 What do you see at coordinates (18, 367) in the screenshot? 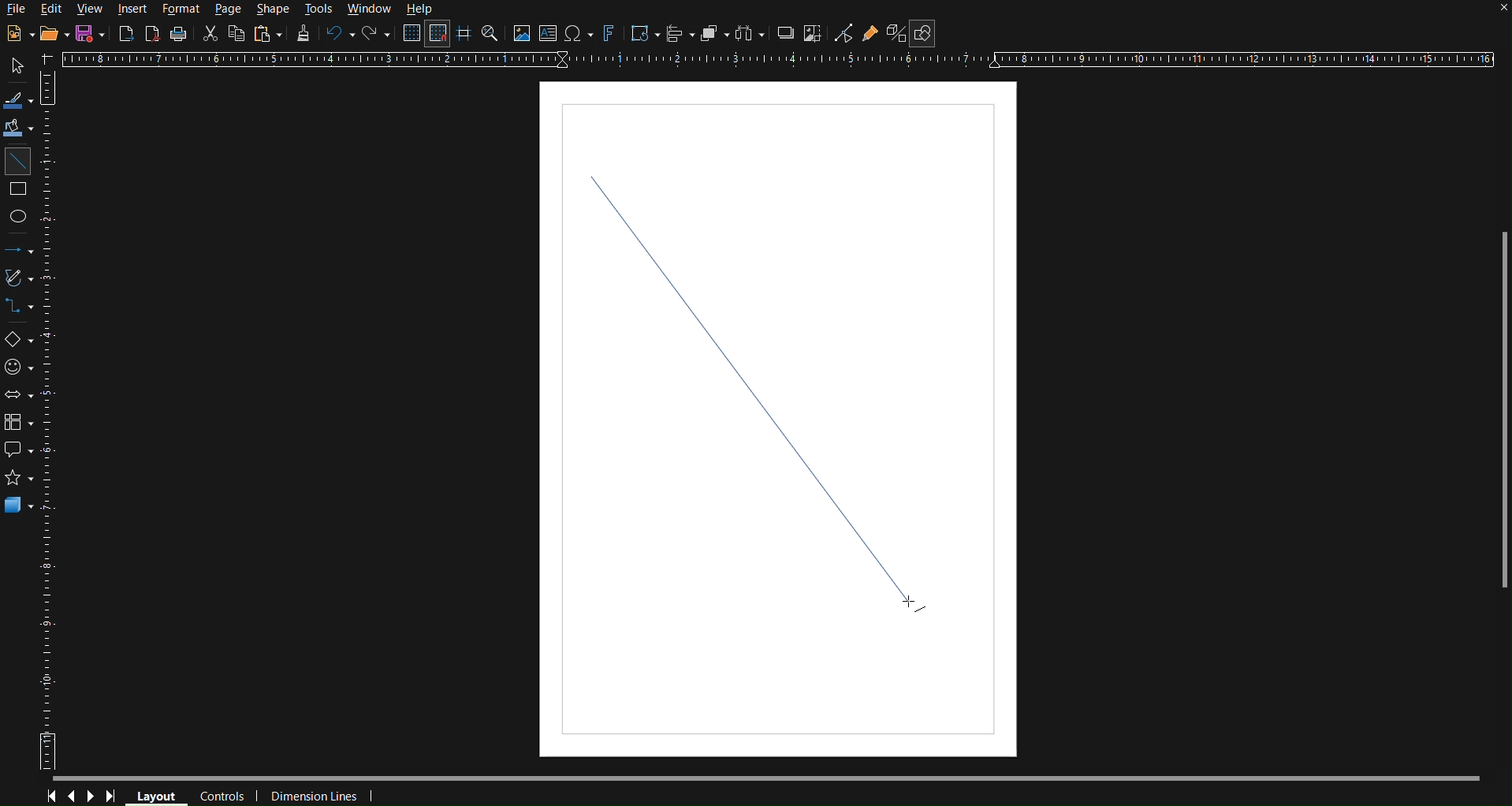
I see `Symbol Shapes` at bounding box center [18, 367].